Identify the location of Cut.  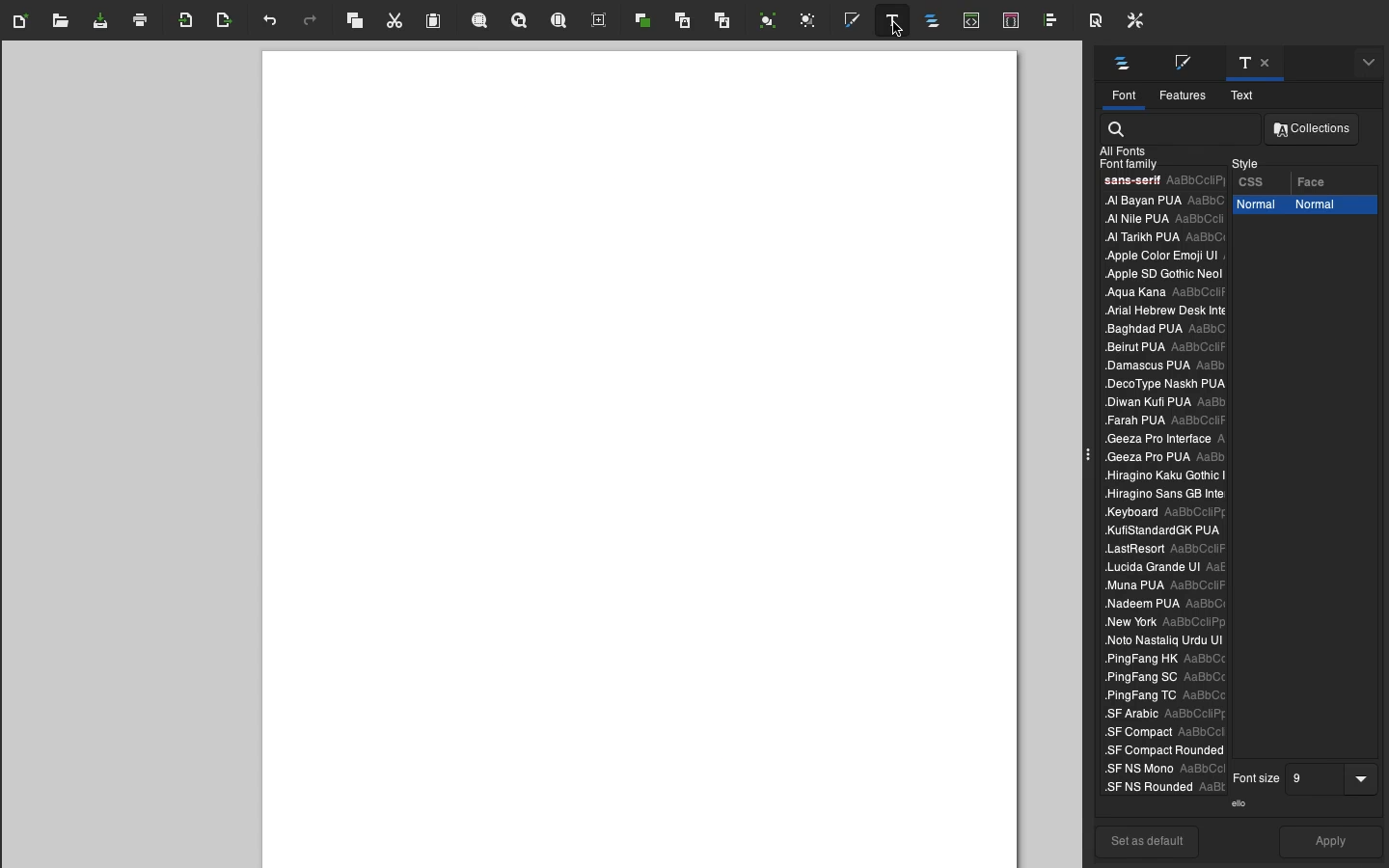
(398, 20).